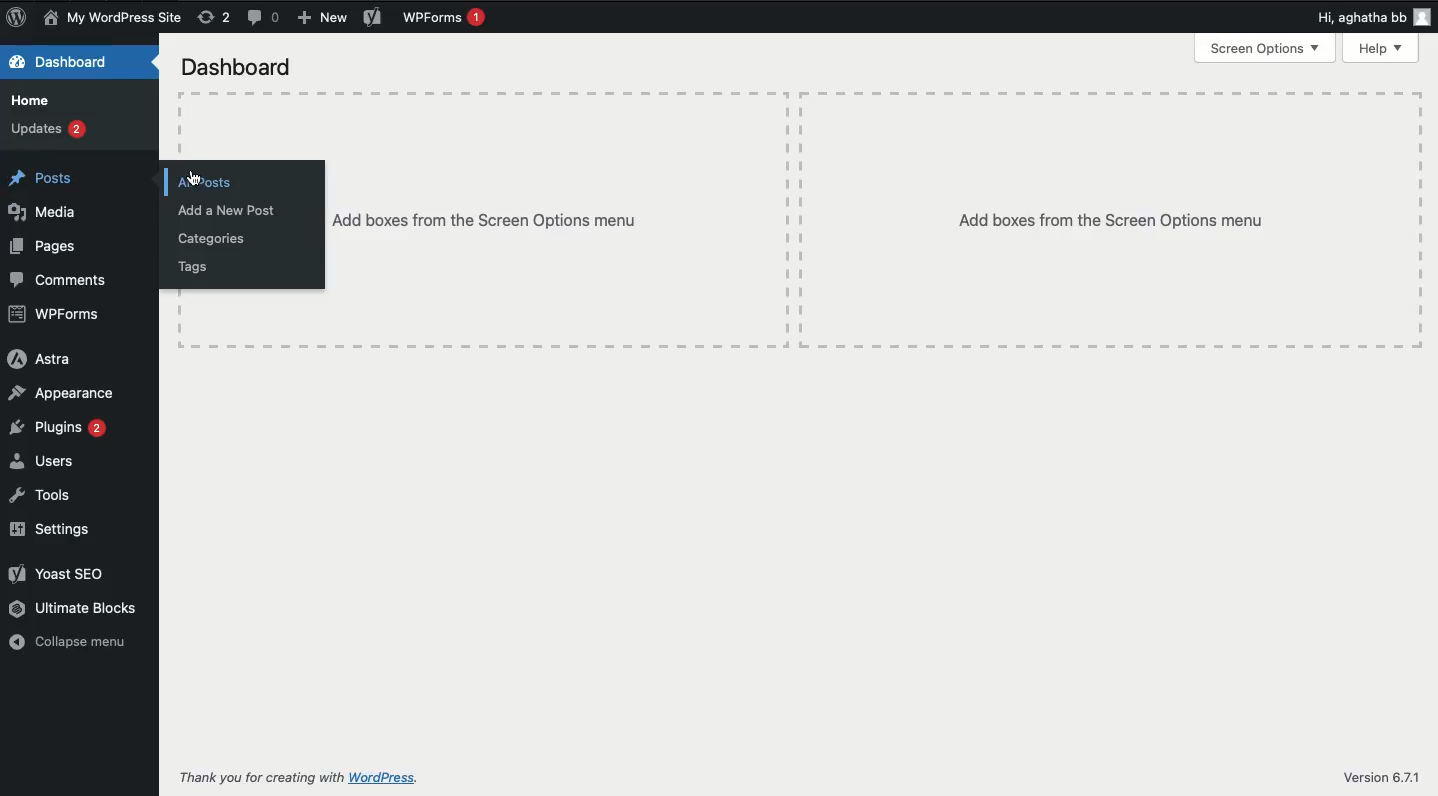 The height and width of the screenshot is (796, 1438). I want to click on Astra, so click(43, 359).